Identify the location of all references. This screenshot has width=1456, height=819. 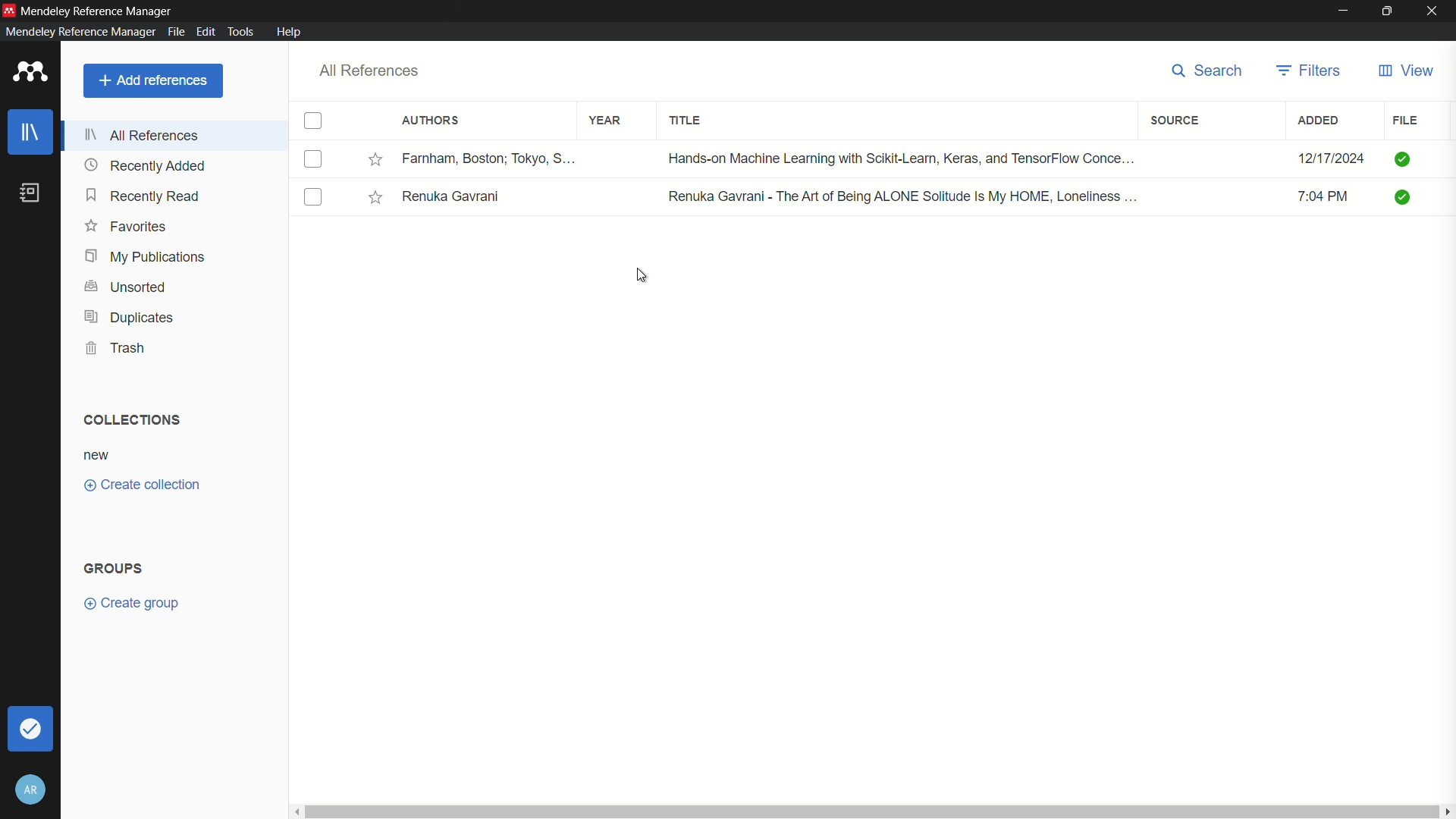
(372, 71).